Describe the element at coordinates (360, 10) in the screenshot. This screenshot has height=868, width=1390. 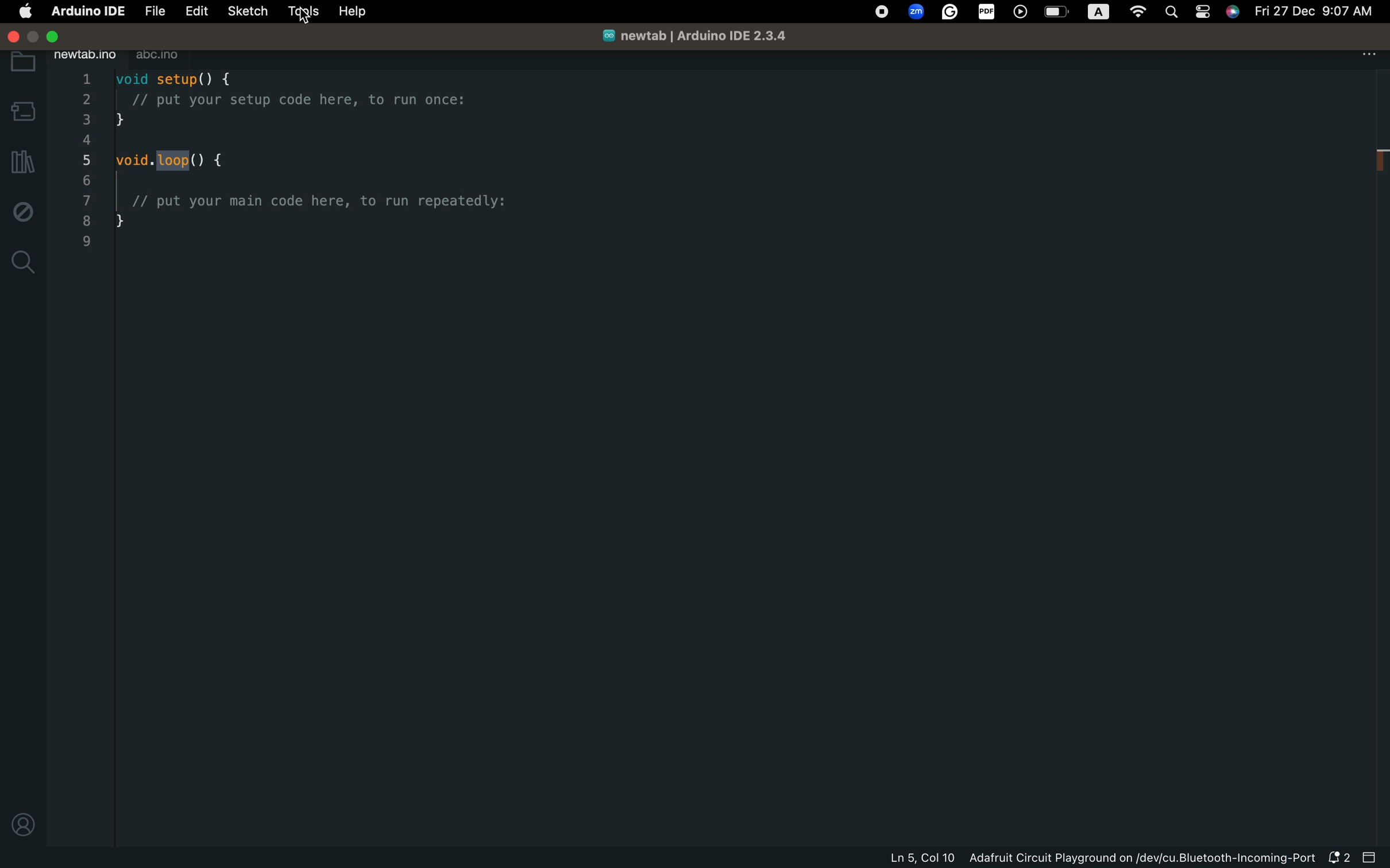
I see `help` at that location.